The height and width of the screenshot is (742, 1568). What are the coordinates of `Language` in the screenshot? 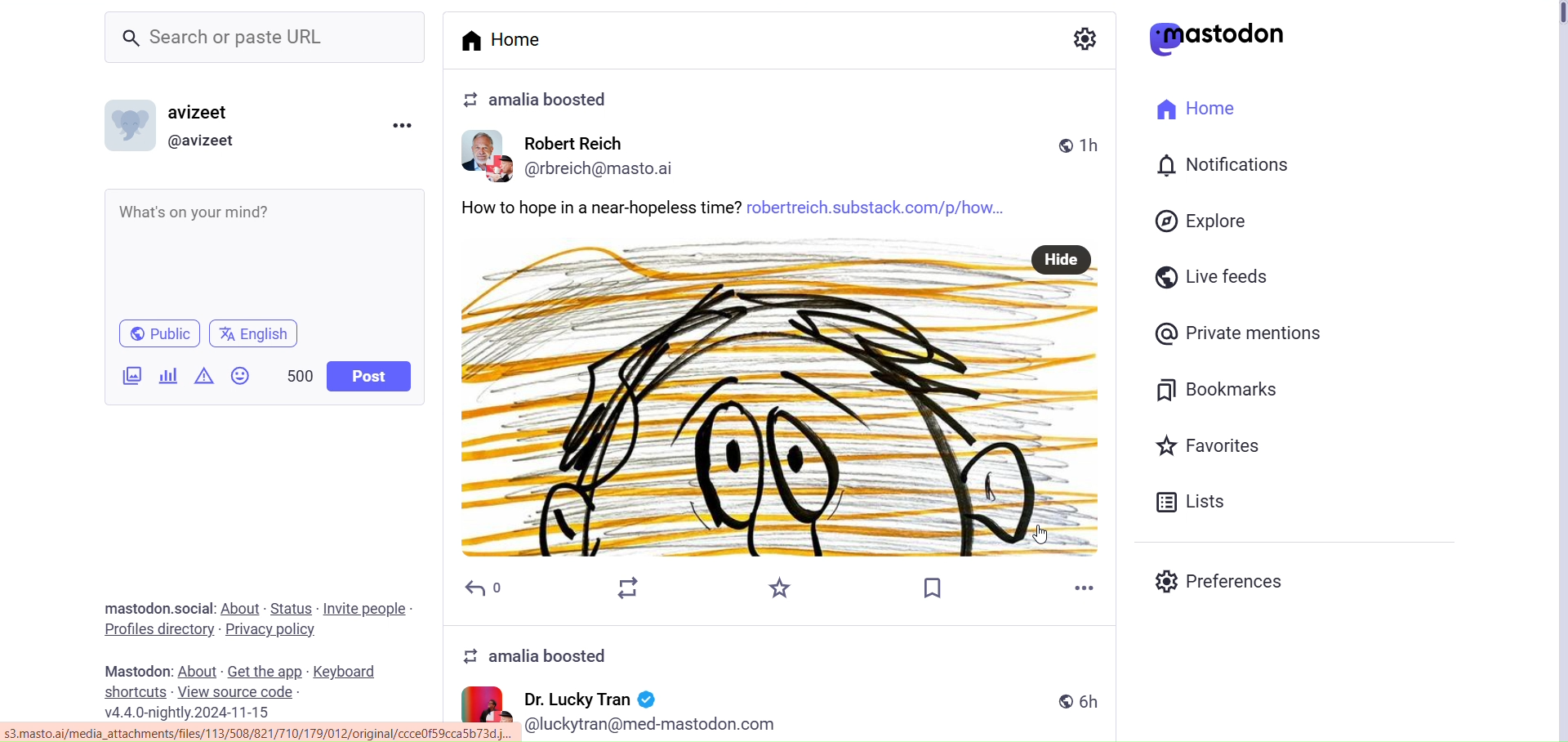 It's located at (251, 333).